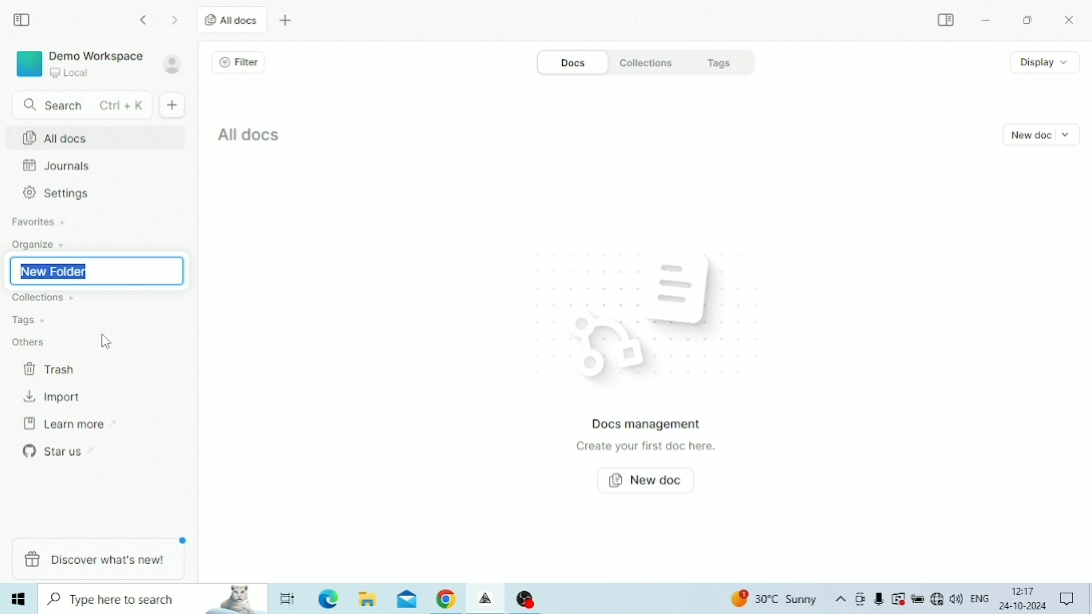 The height and width of the screenshot is (614, 1092). Describe the element at coordinates (81, 106) in the screenshot. I see `Search` at that location.